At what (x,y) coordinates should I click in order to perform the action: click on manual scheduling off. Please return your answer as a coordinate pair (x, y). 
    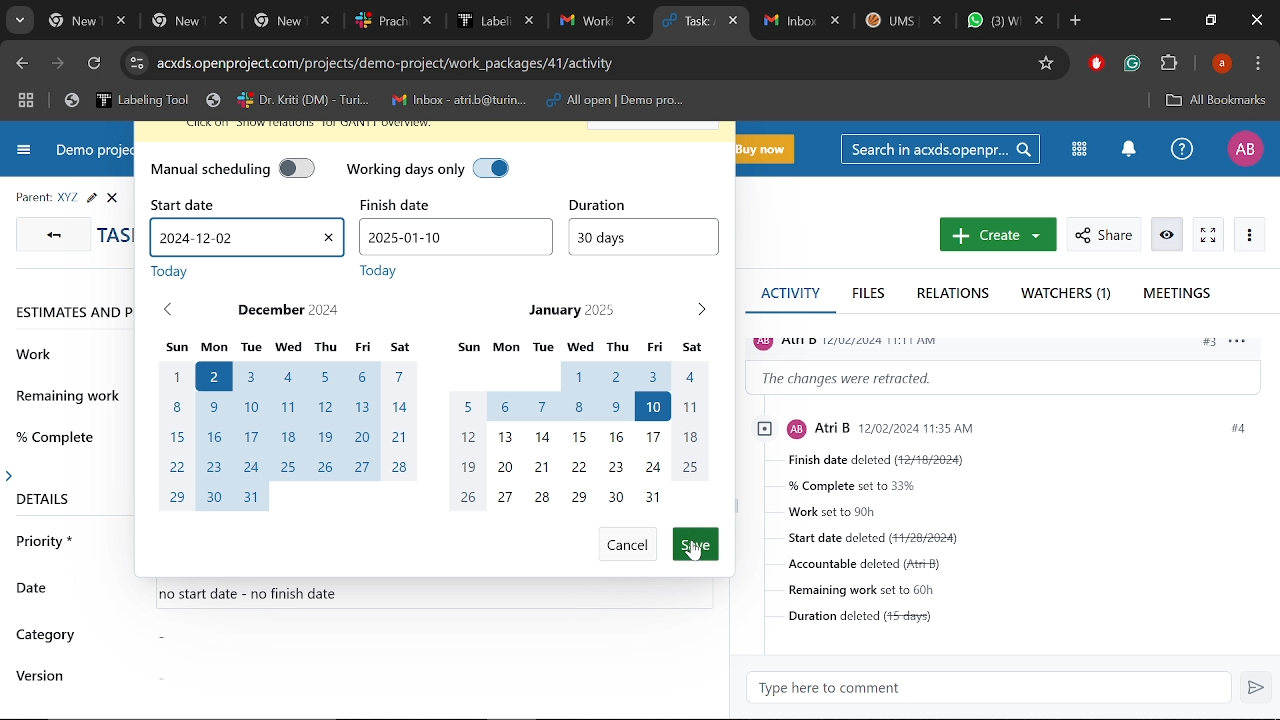
    Looking at the image, I should click on (300, 166).